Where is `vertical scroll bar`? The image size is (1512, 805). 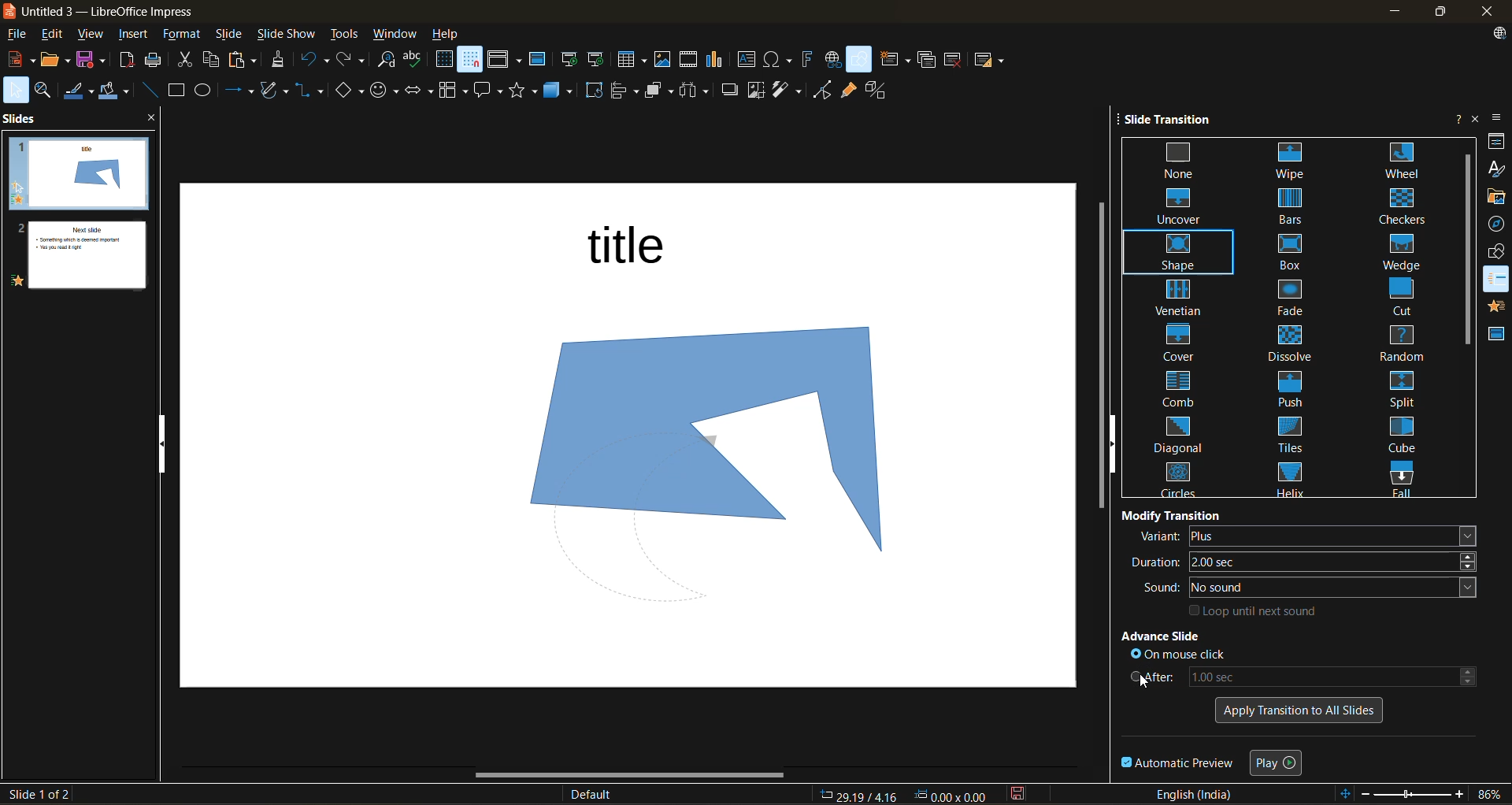 vertical scroll bar is located at coordinates (1465, 250).